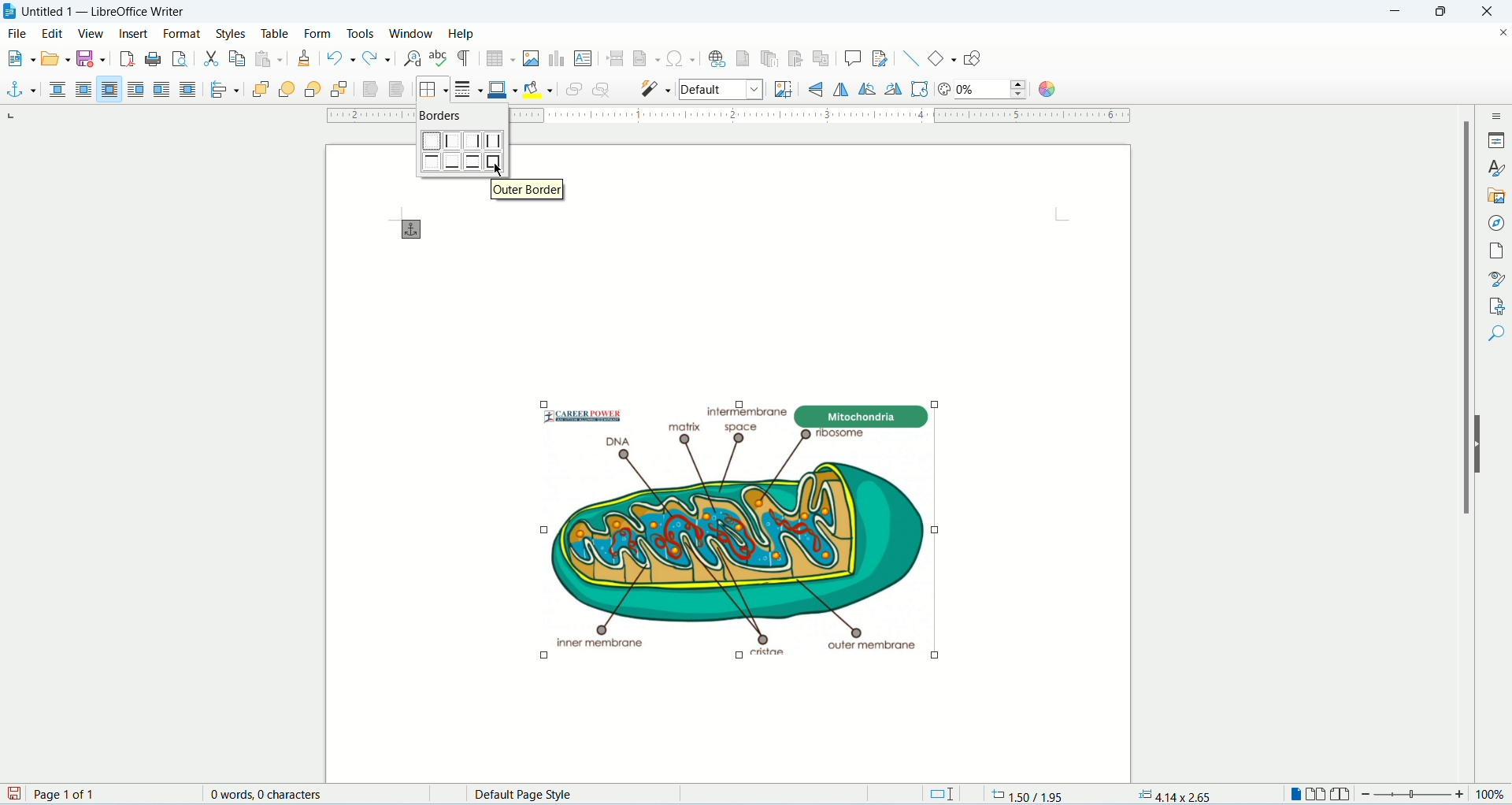 The height and width of the screenshot is (805, 1512). What do you see at coordinates (841, 89) in the screenshot?
I see `flip vertically` at bounding box center [841, 89].